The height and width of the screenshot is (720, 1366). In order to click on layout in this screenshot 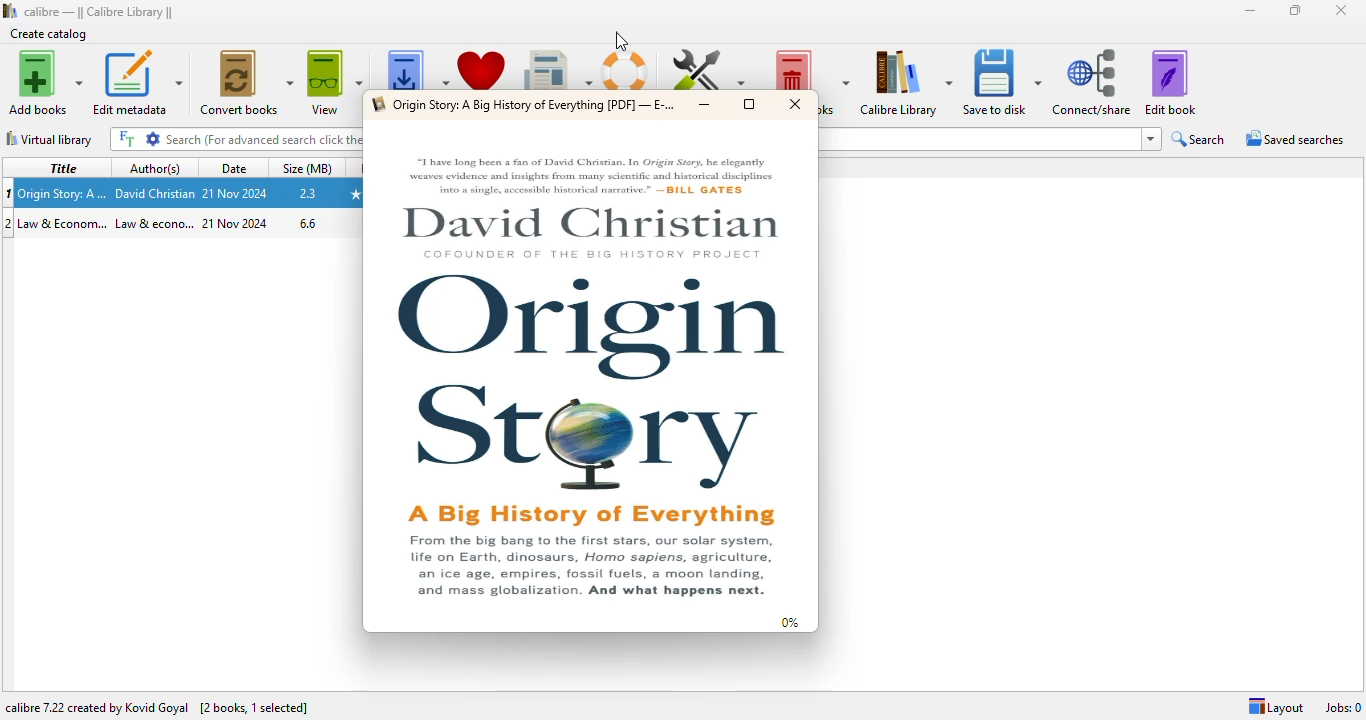, I will do `click(1276, 707)`.